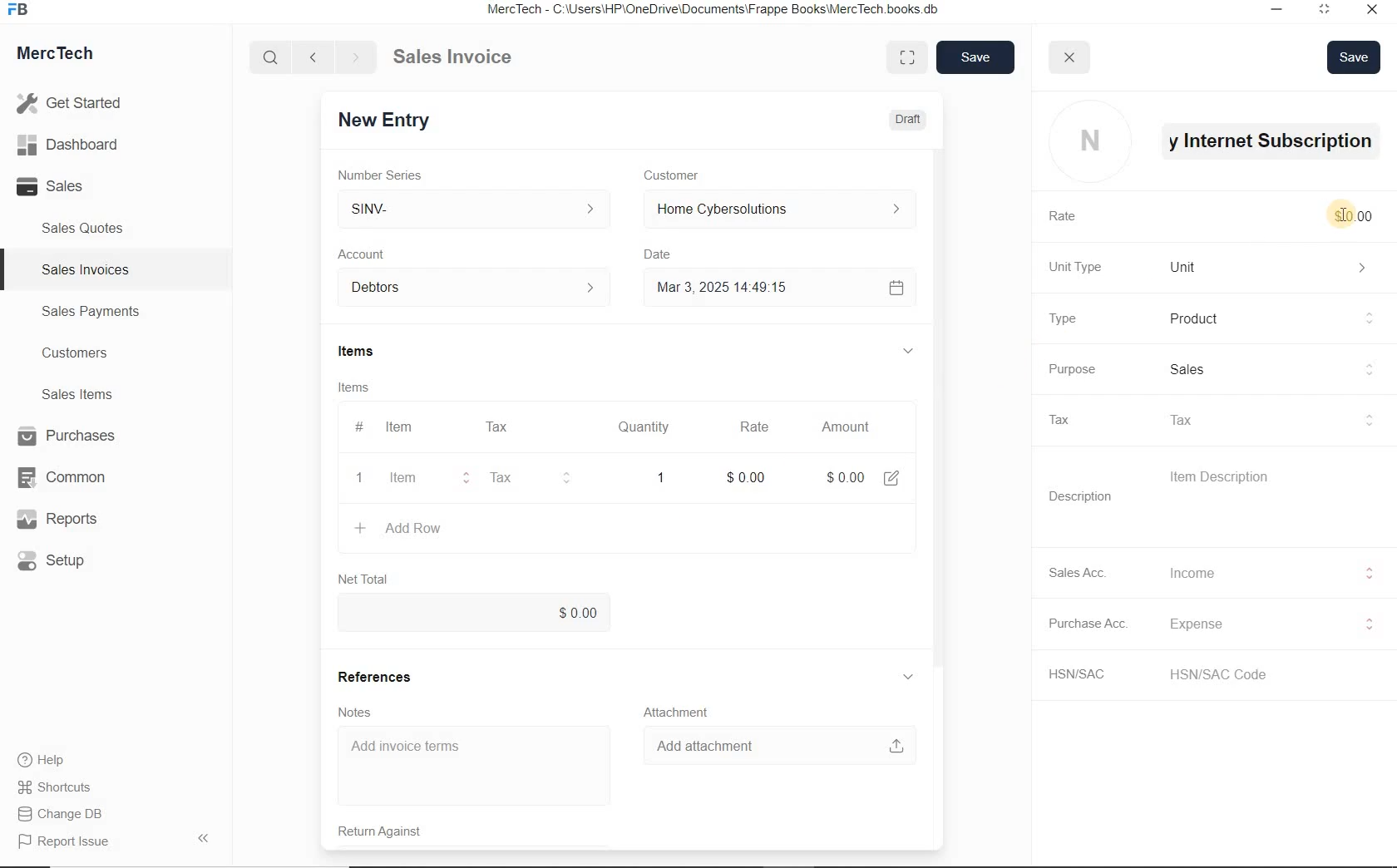 The width and height of the screenshot is (1397, 868). I want to click on Tax, so click(496, 427).